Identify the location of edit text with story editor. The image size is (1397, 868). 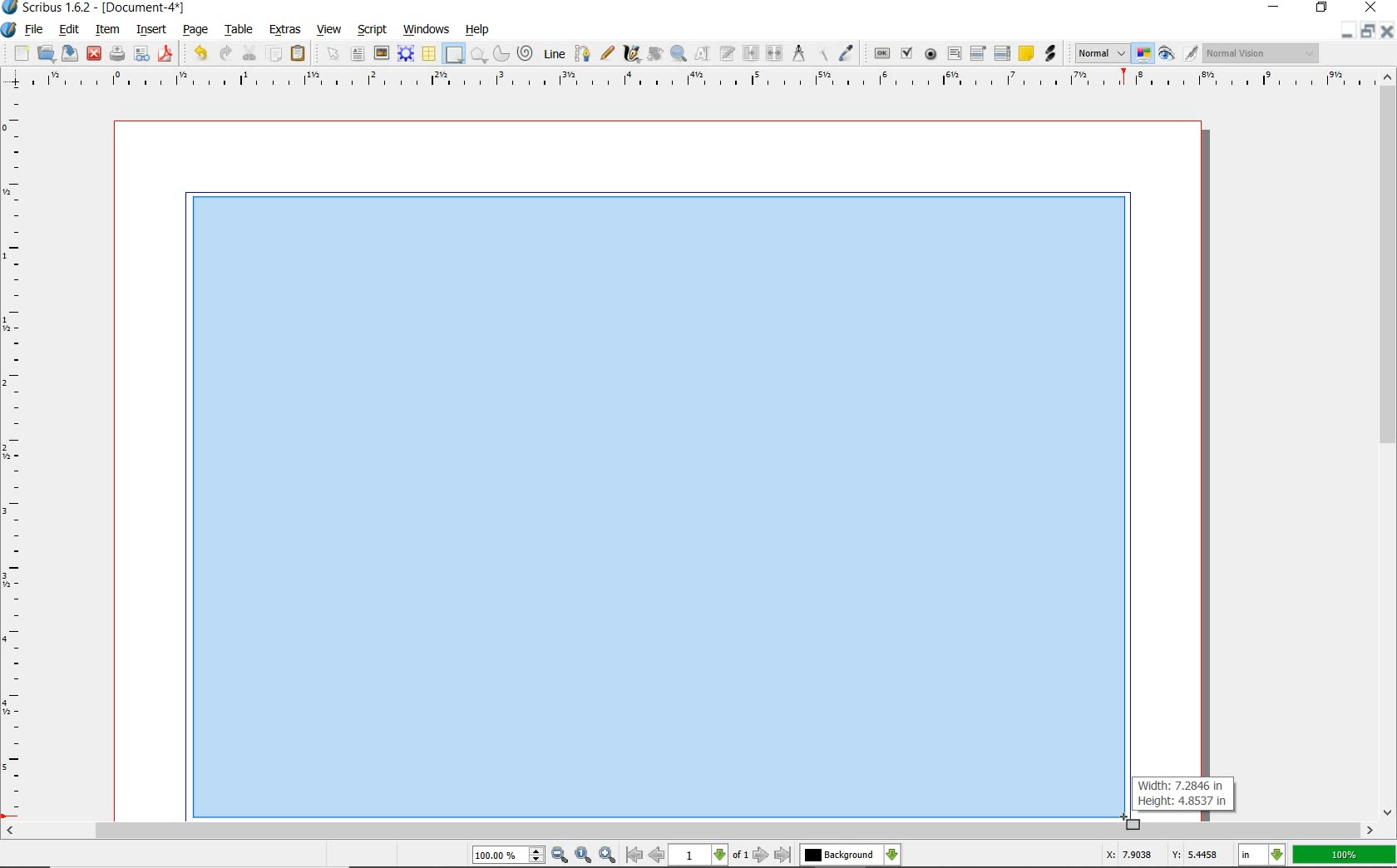
(726, 54).